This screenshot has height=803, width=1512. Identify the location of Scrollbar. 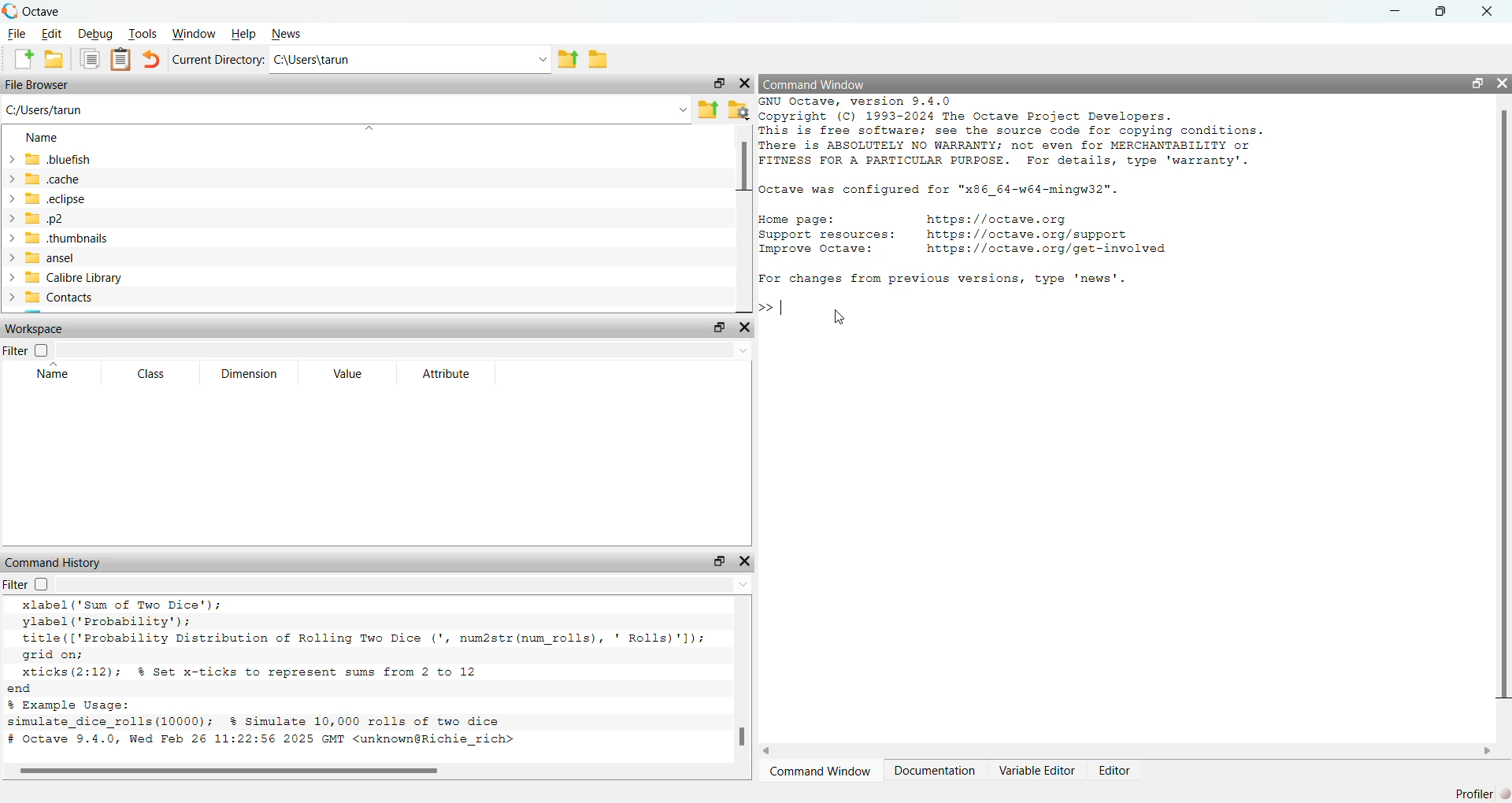
(1502, 403).